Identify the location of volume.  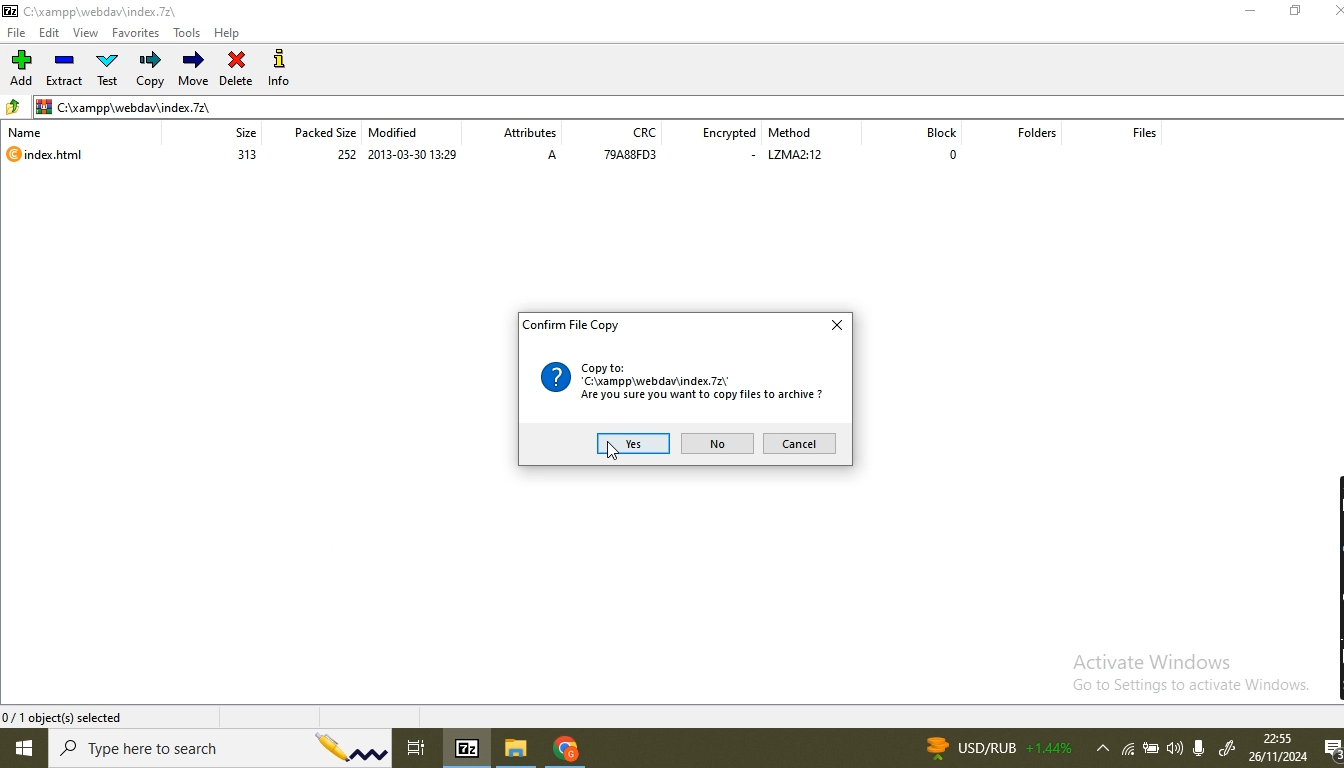
(1176, 748).